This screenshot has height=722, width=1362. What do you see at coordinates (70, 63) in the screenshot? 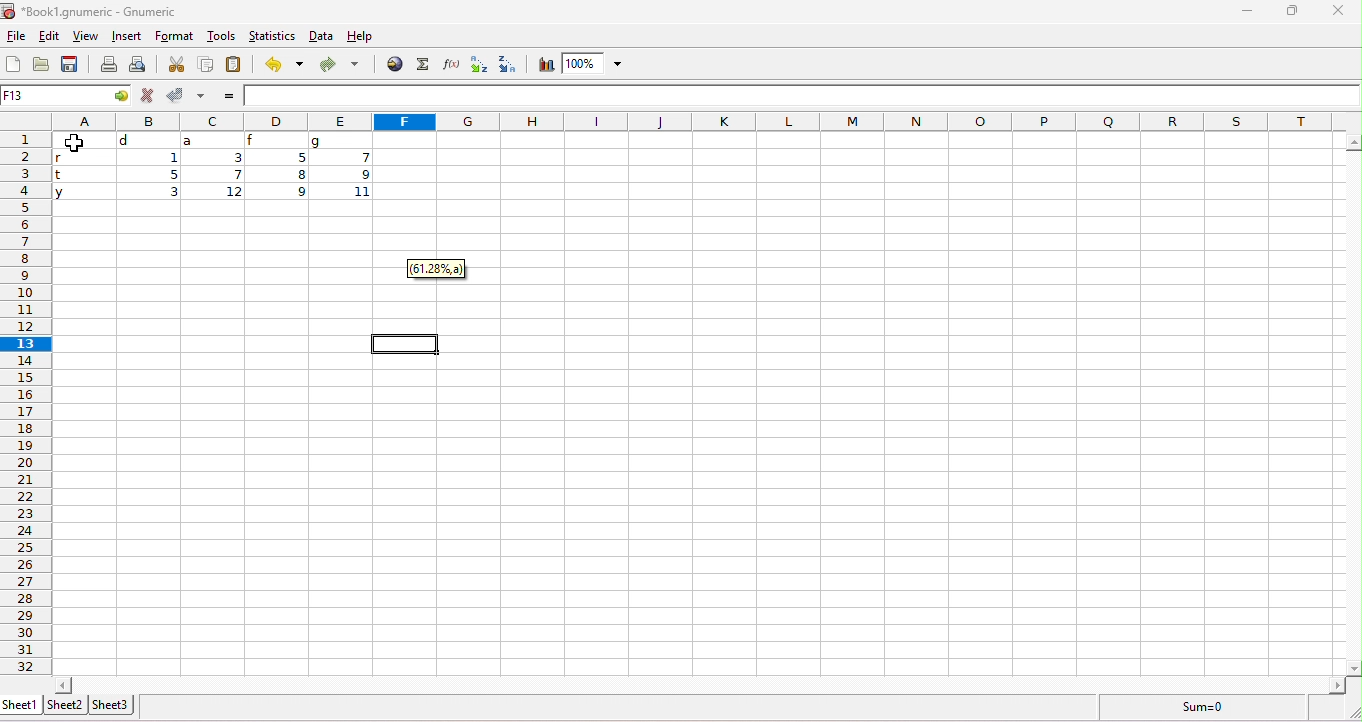
I see `save` at bounding box center [70, 63].